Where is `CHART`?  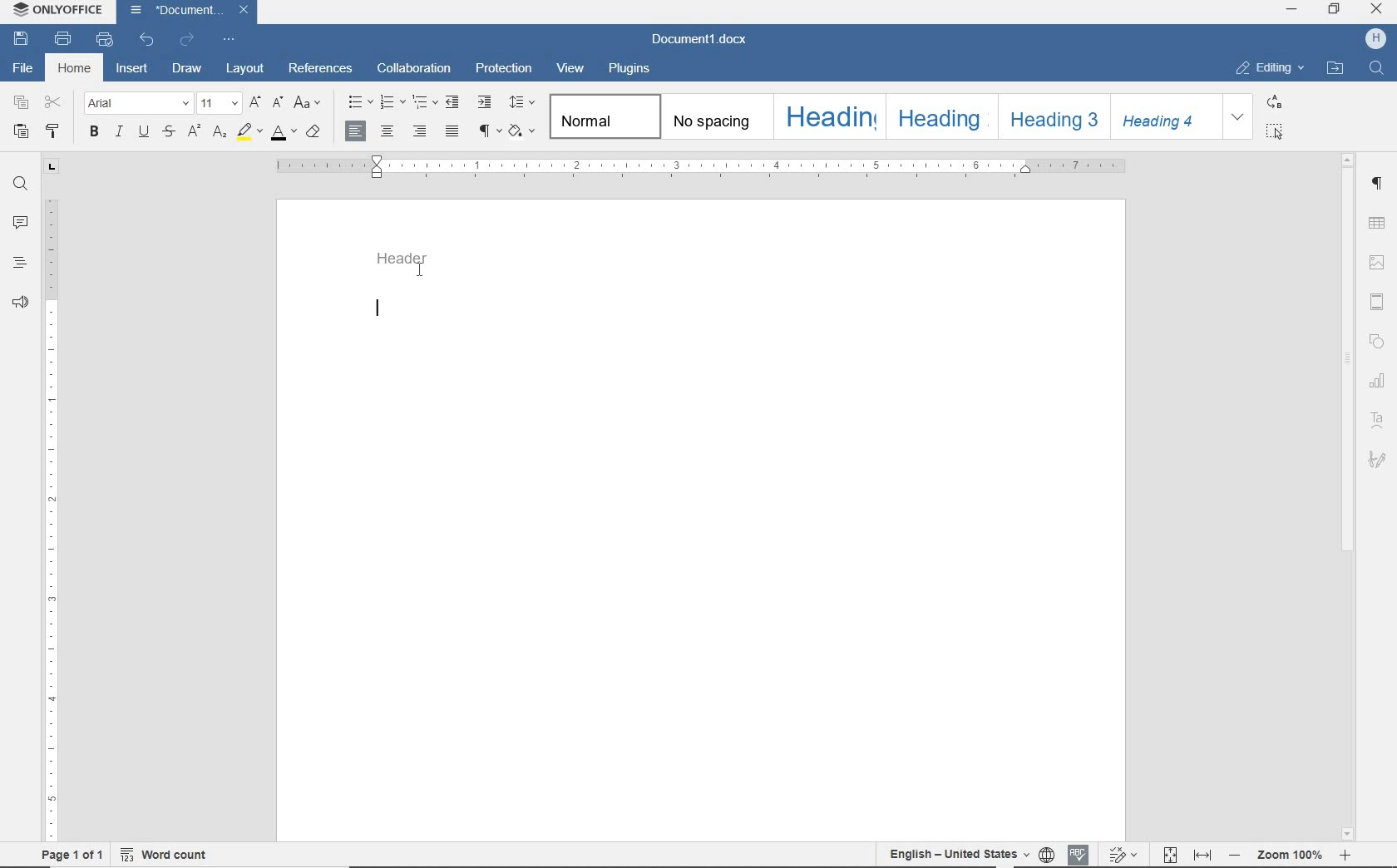 CHART is located at coordinates (1380, 379).